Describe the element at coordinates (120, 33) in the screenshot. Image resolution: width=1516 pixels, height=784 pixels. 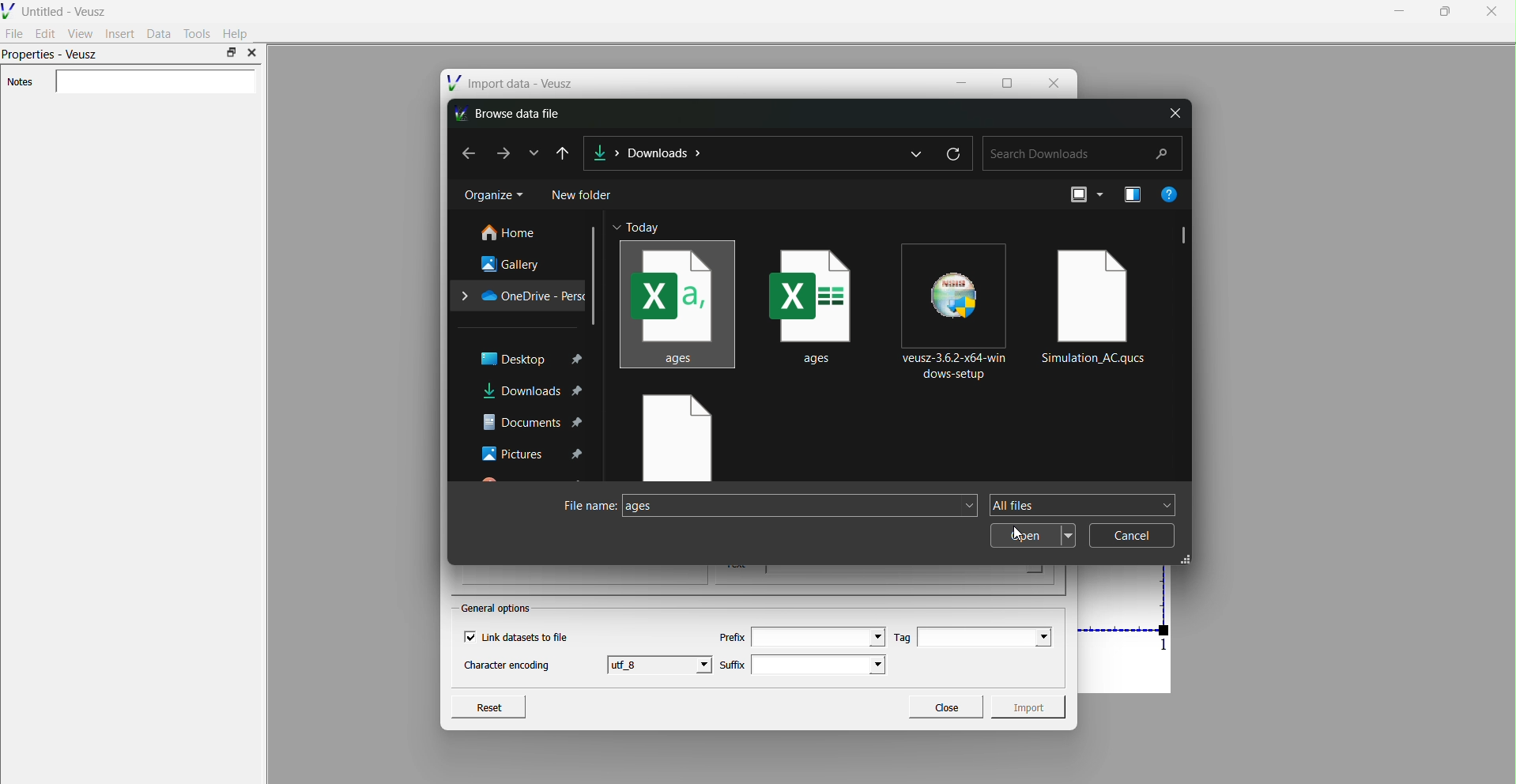
I see `Insert` at that location.